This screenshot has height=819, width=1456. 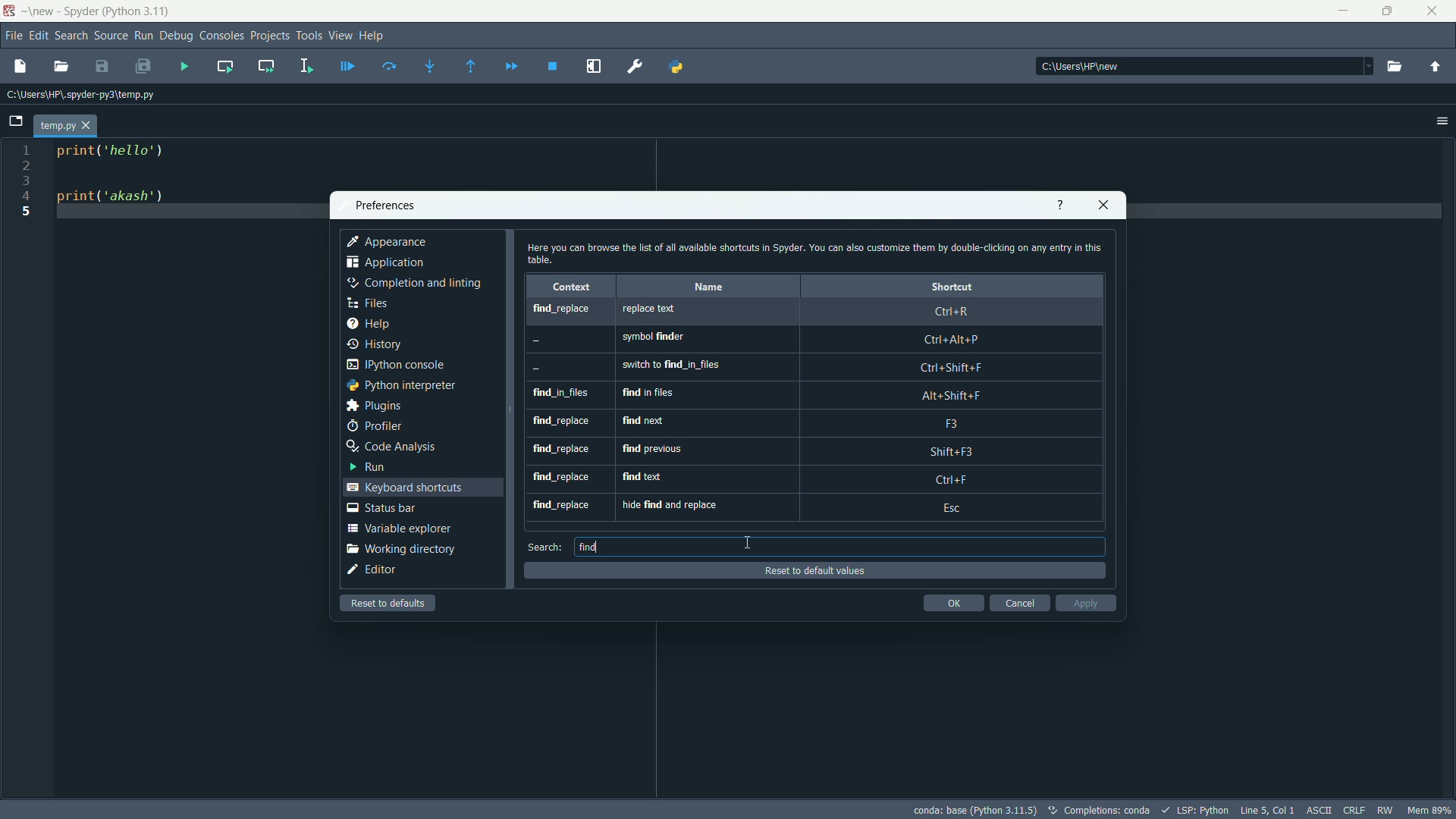 What do you see at coordinates (88, 94) in the screenshot?
I see `c:\users\hp\.spyder-py3\temp.py` at bounding box center [88, 94].